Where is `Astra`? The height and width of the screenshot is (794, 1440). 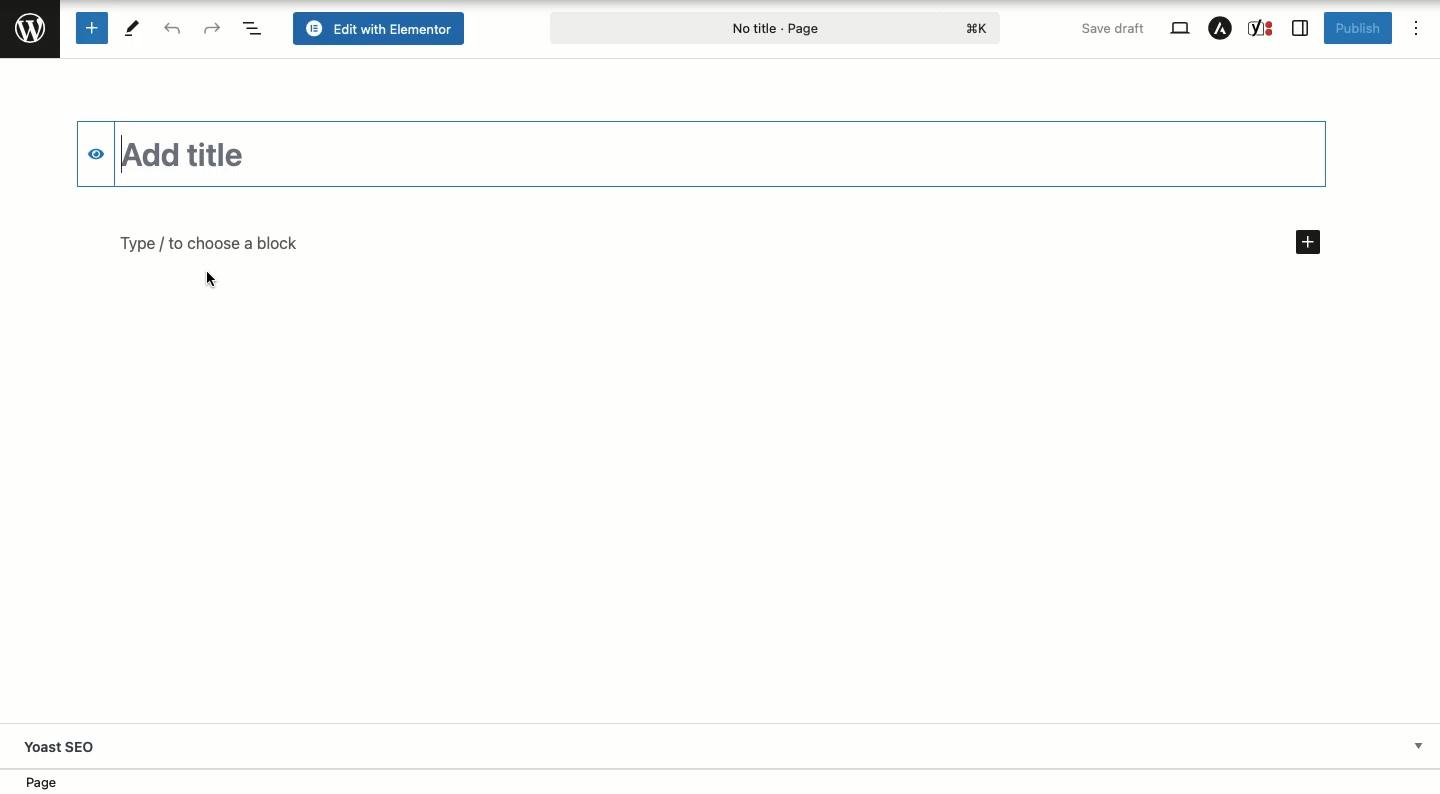 Astra is located at coordinates (1223, 29).